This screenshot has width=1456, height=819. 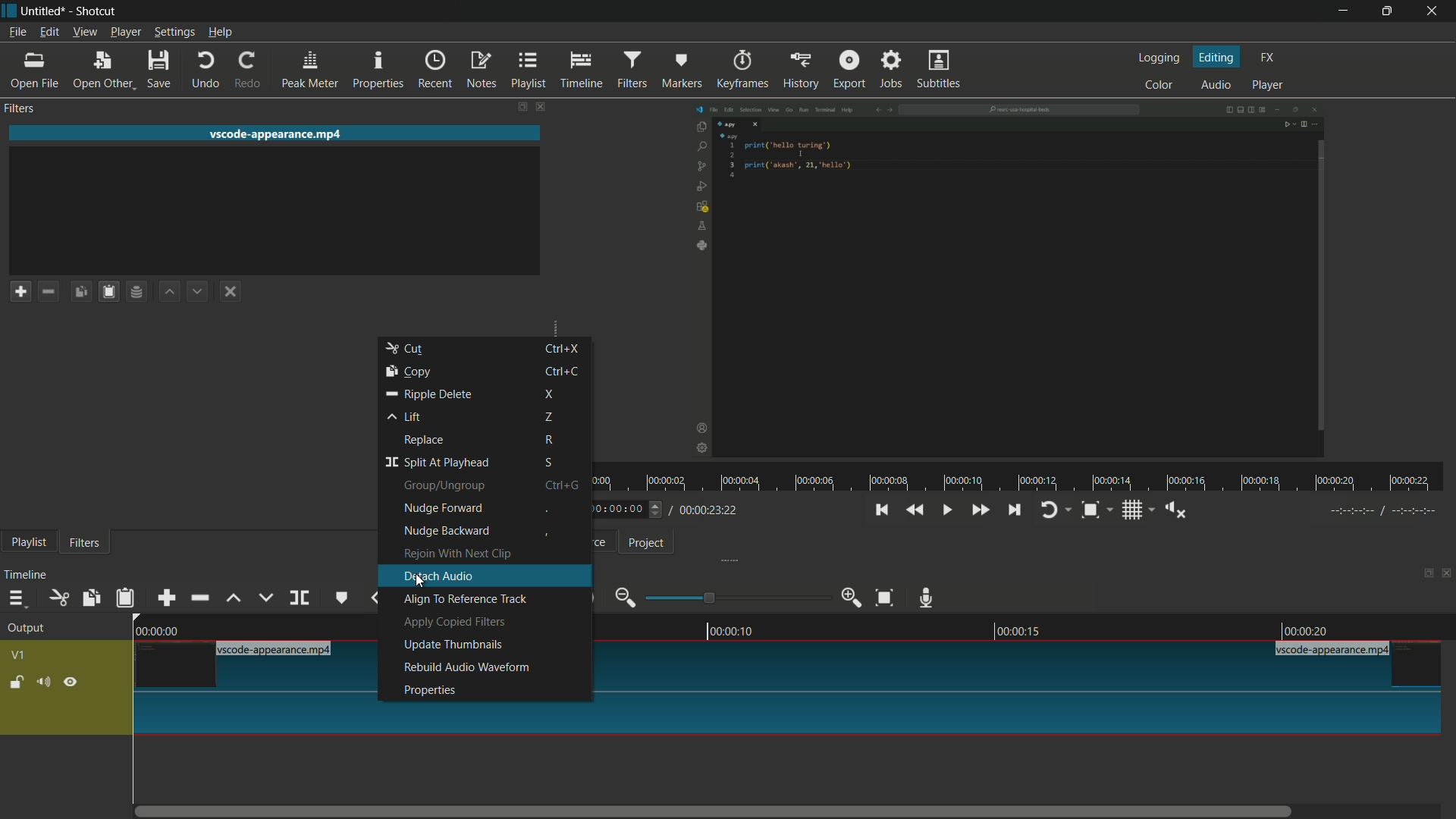 I want to click on playlist, so click(x=530, y=71).